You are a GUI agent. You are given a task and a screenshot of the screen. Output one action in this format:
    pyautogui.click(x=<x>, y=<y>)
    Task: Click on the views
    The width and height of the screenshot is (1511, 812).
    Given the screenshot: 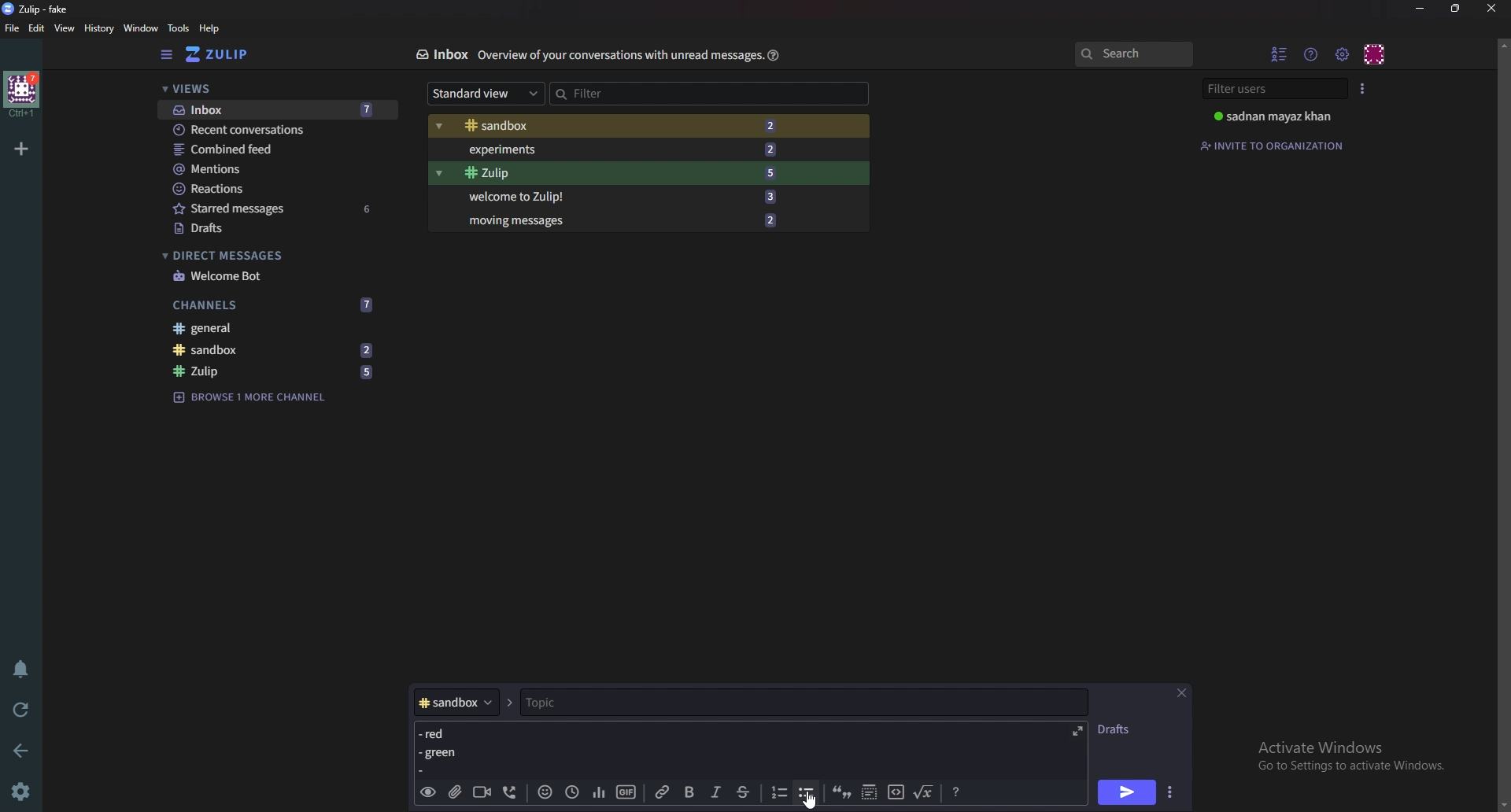 What is the action you would take?
    pyautogui.click(x=277, y=90)
    